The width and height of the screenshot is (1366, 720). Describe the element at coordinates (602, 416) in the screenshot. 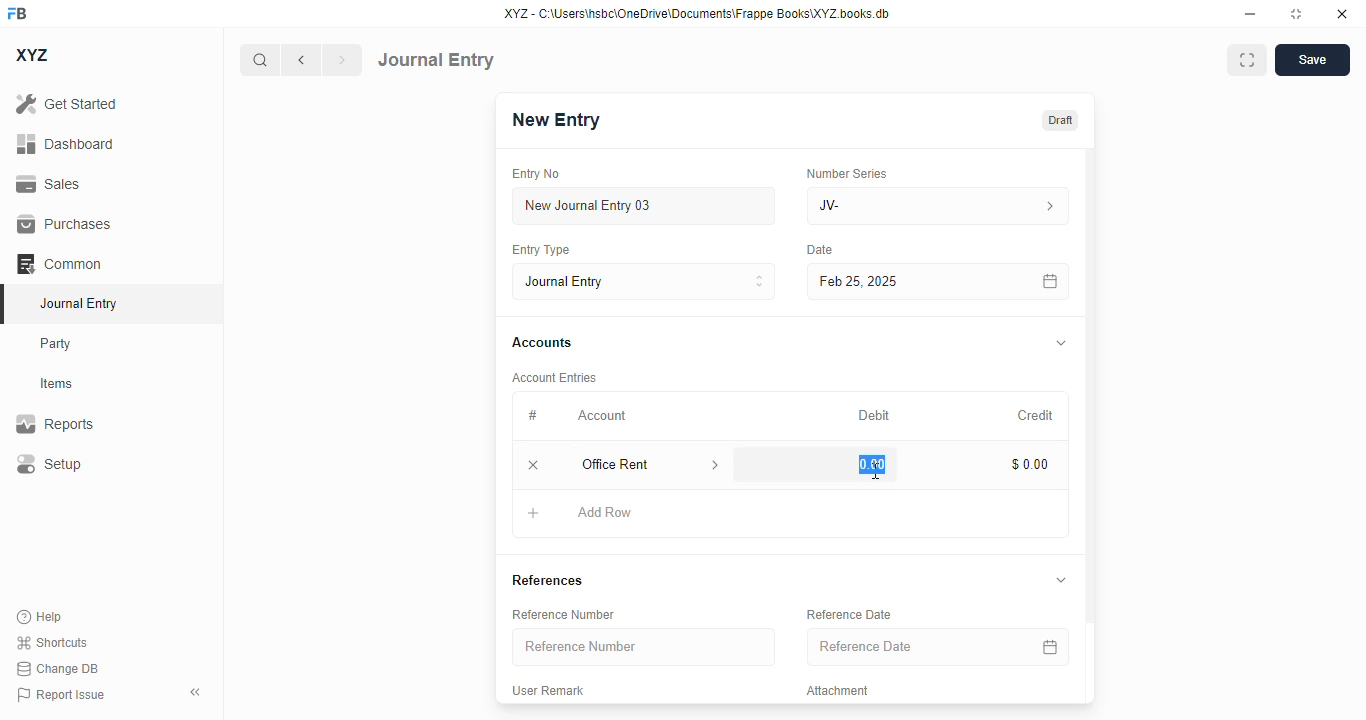

I see `account` at that location.